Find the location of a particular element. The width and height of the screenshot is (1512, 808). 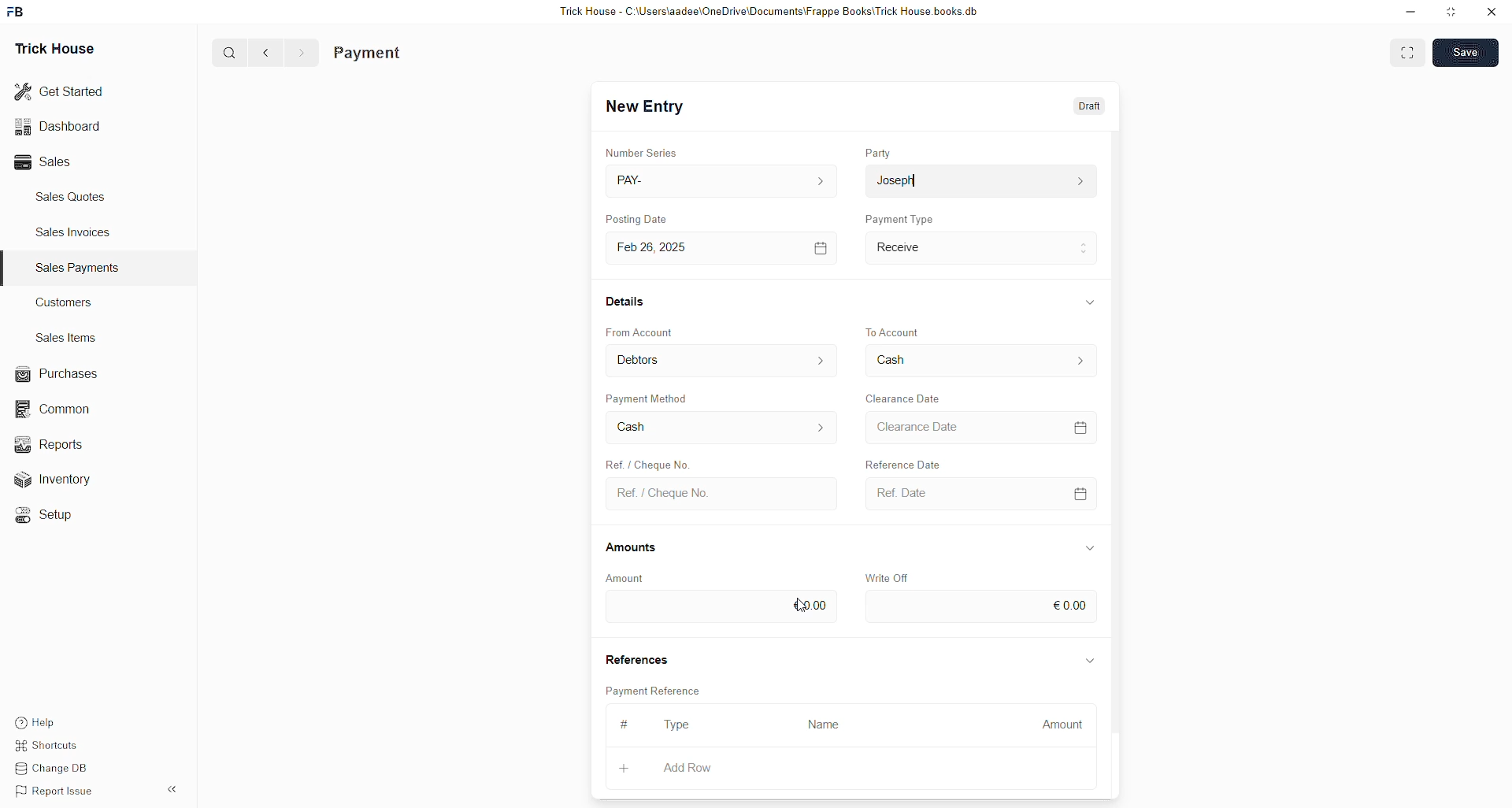

References is located at coordinates (636, 657).